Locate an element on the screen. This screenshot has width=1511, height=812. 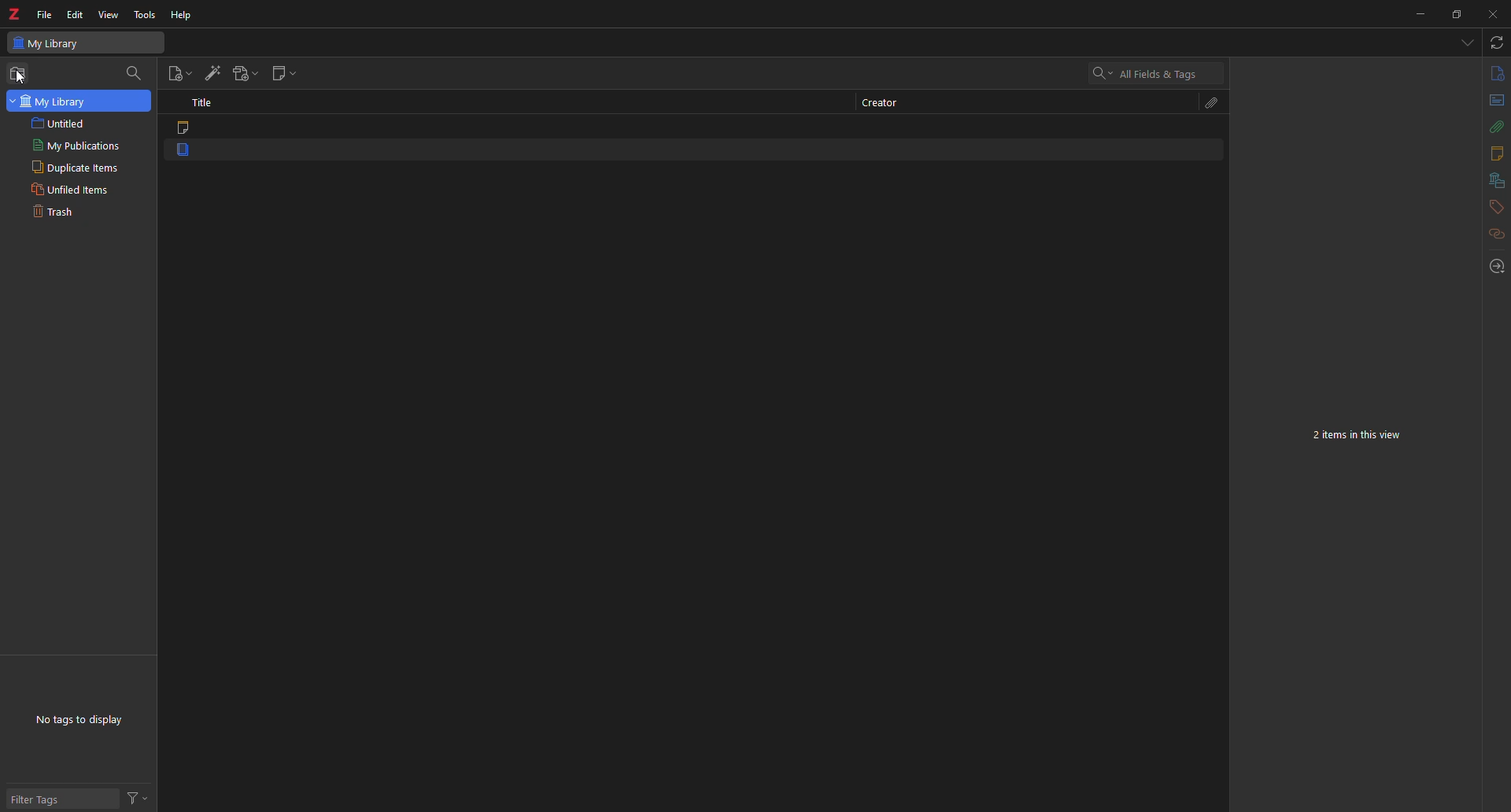
info is located at coordinates (1494, 75).